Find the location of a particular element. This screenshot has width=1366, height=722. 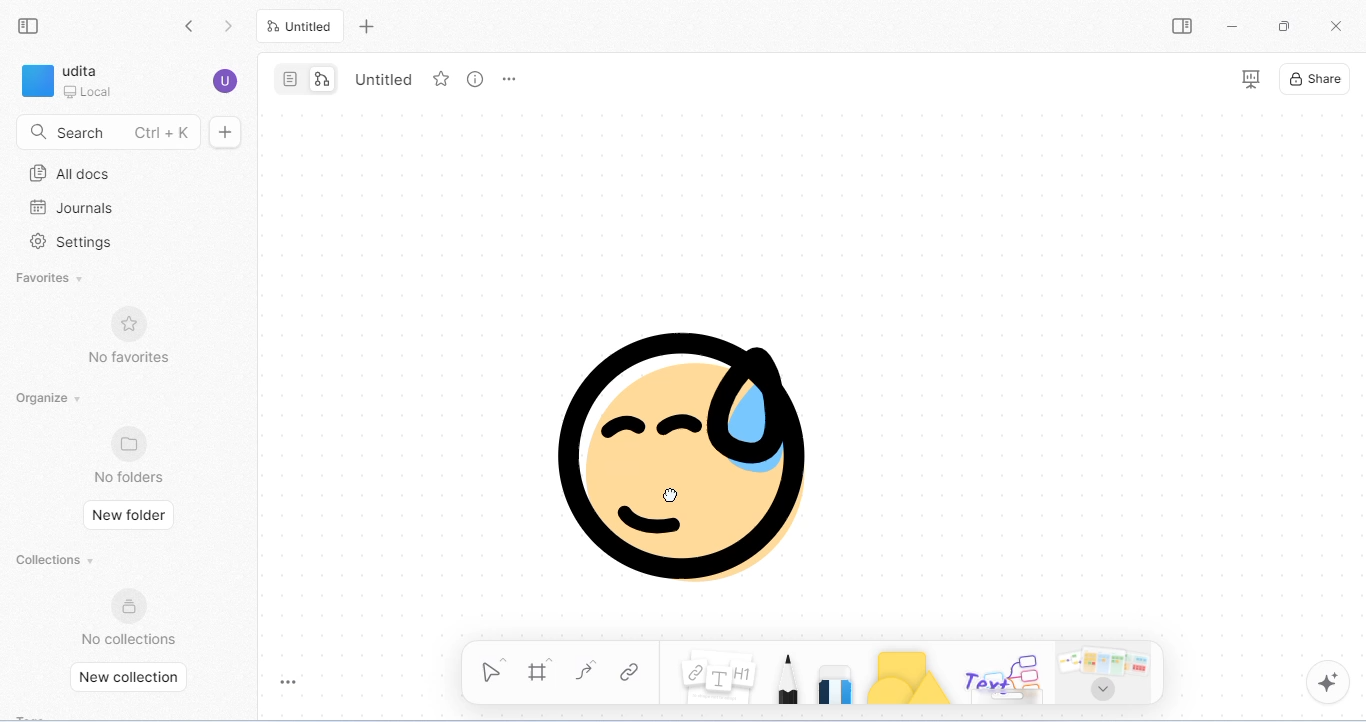

page mode is located at coordinates (291, 79).